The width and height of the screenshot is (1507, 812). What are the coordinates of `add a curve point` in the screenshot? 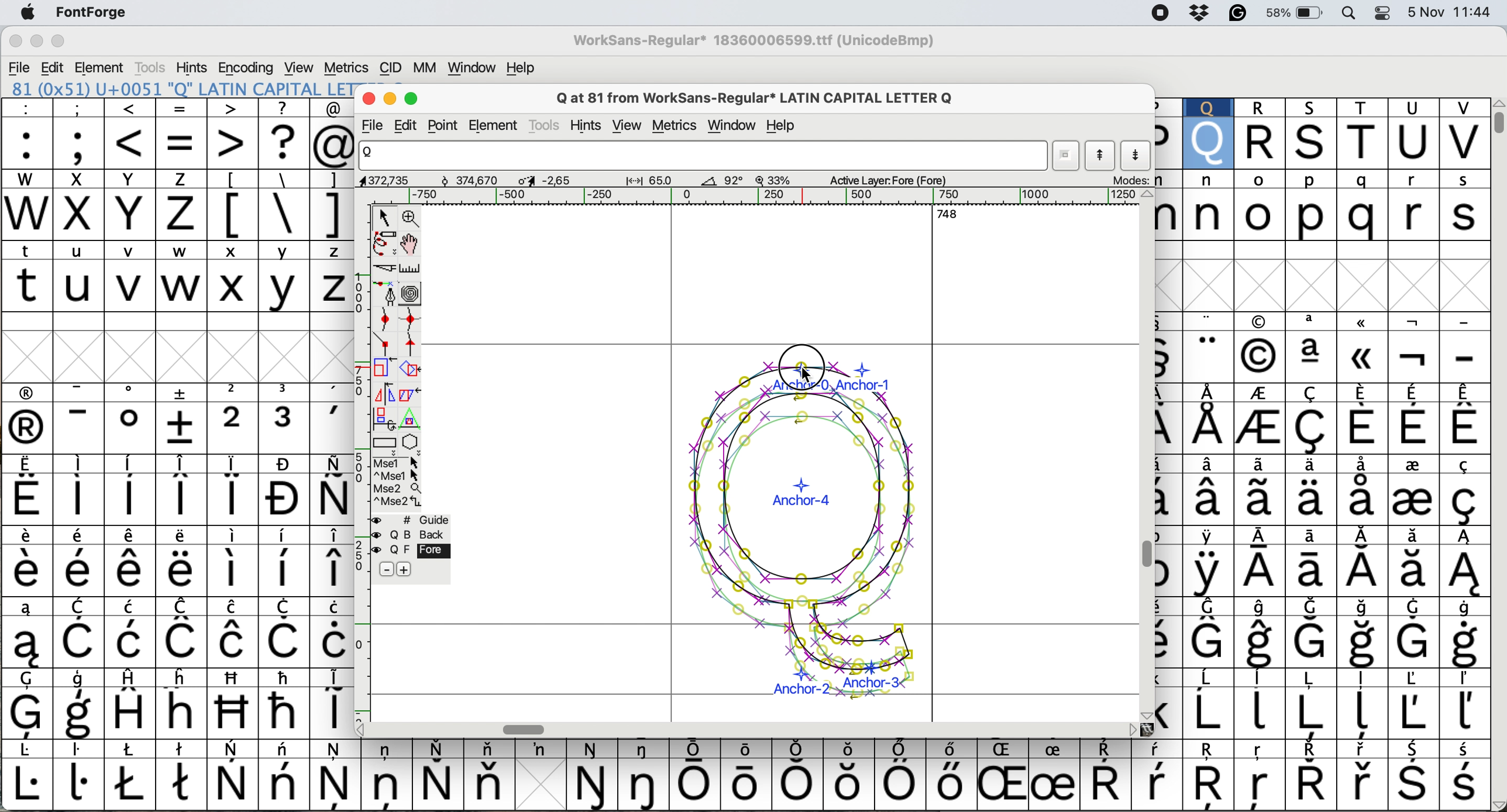 It's located at (383, 319).